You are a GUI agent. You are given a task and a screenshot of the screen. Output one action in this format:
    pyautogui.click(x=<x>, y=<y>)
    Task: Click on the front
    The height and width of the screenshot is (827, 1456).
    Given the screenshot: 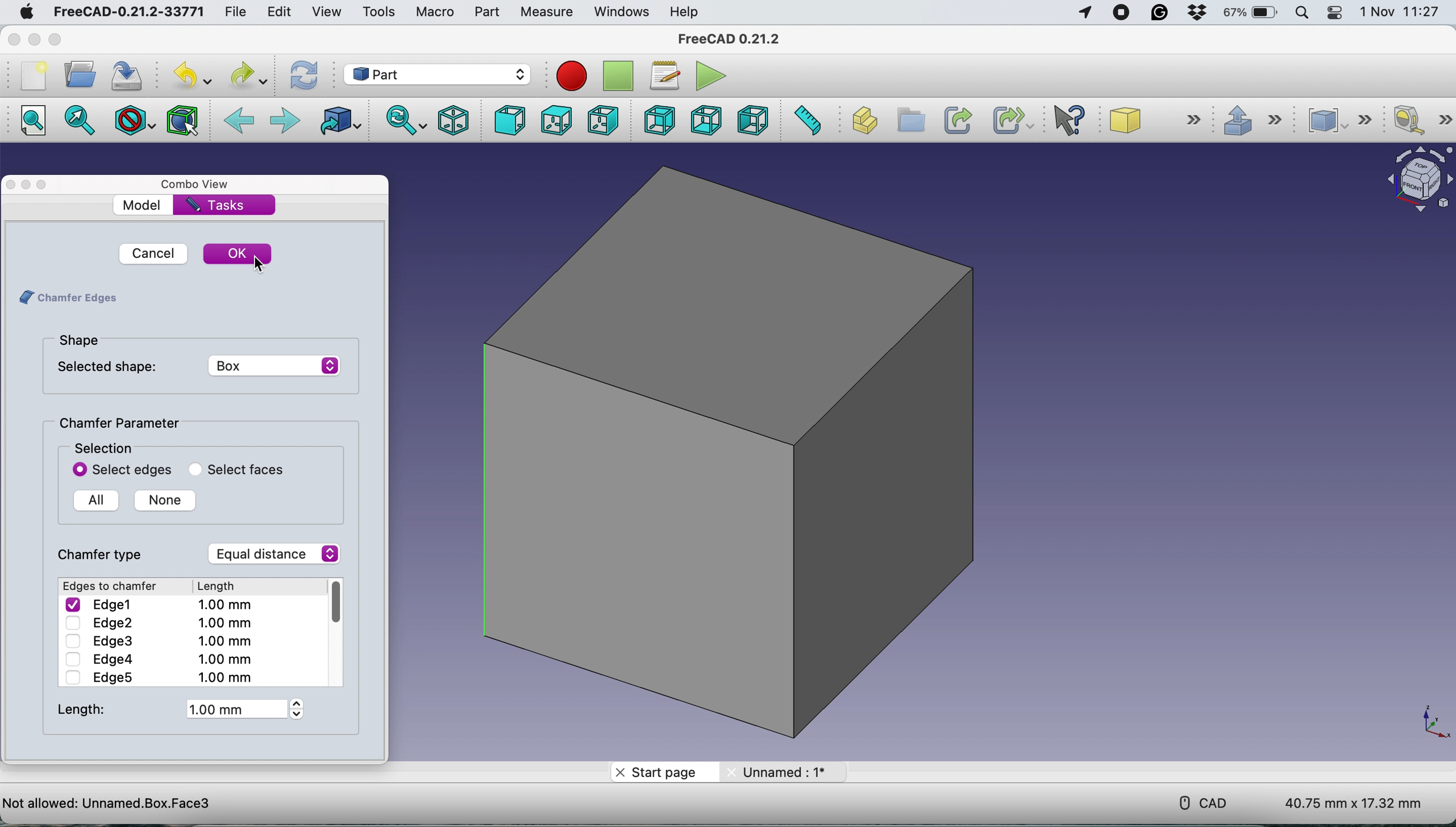 What is the action you would take?
    pyautogui.click(x=510, y=119)
    